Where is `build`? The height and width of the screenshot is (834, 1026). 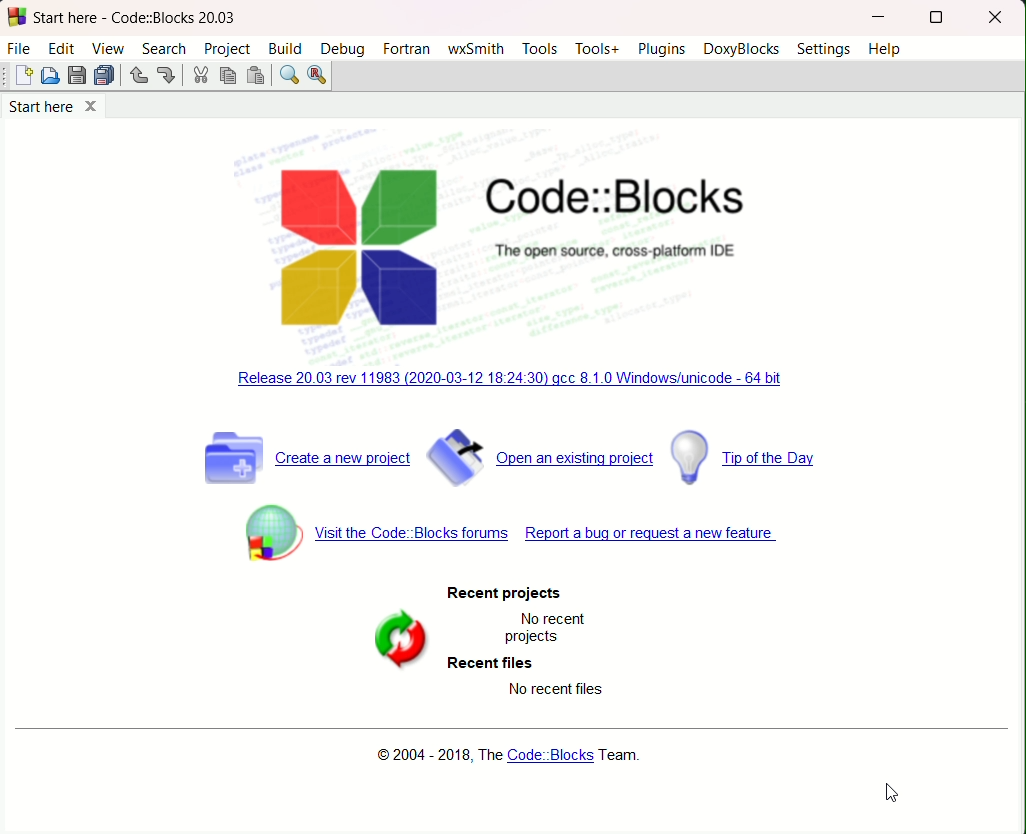 build is located at coordinates (286, 48).